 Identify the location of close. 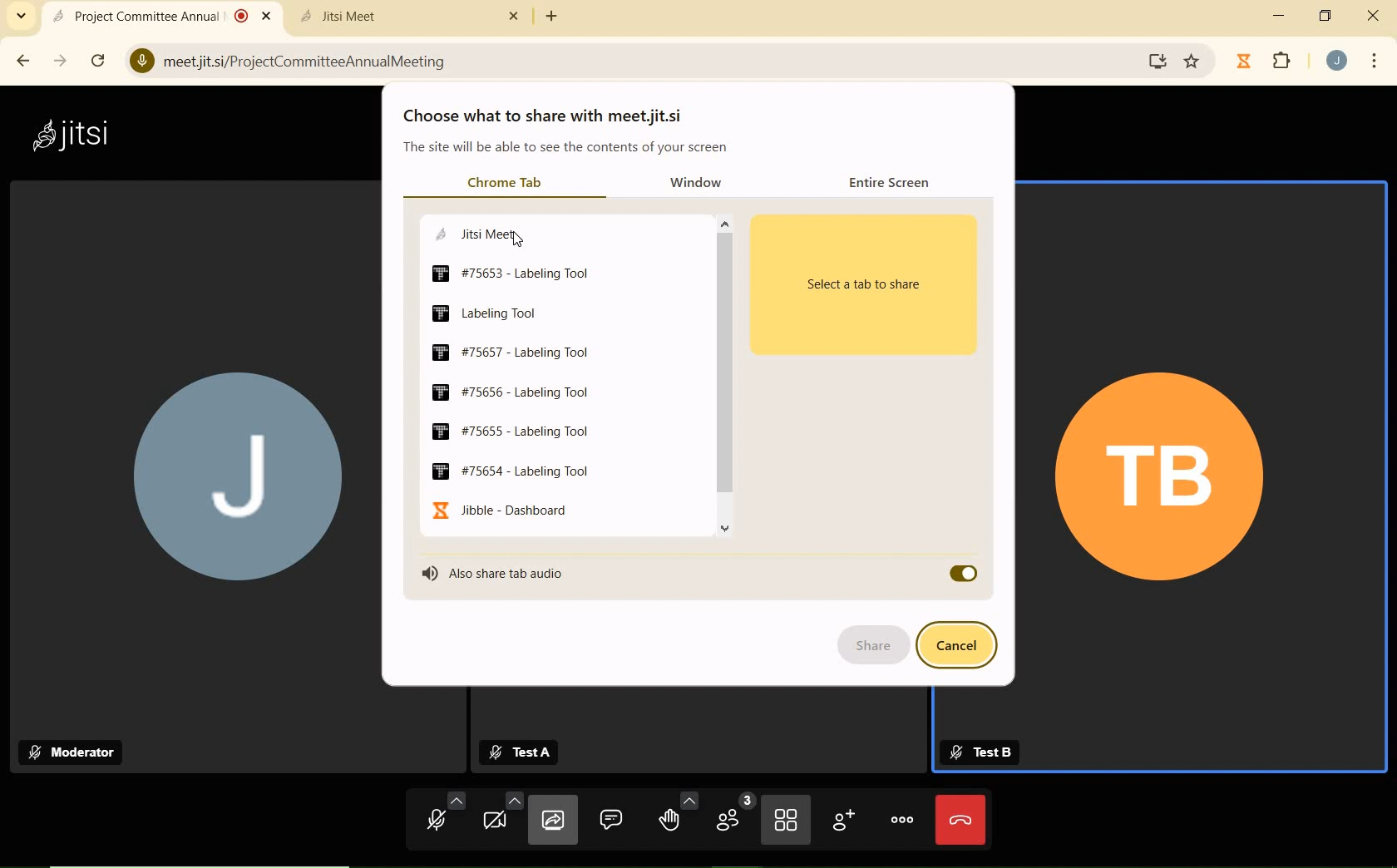
(1375, 13).